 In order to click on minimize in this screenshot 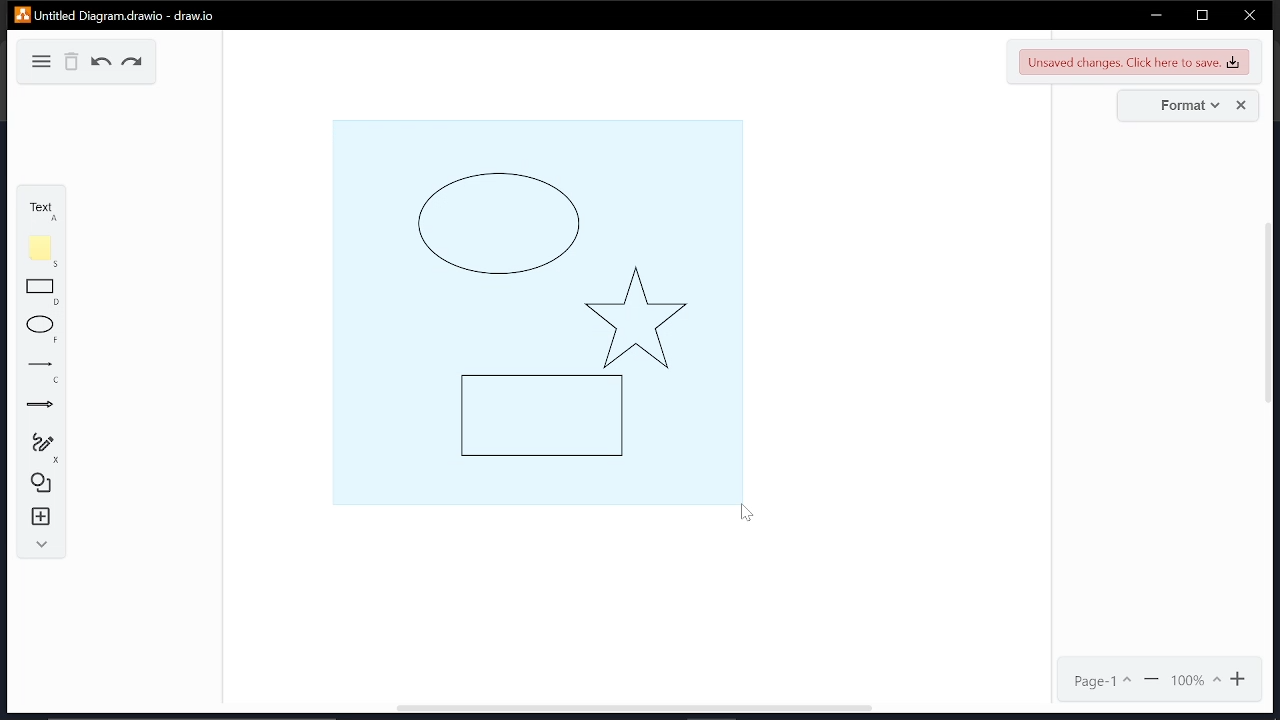, I will do `click(1156, 15)`.